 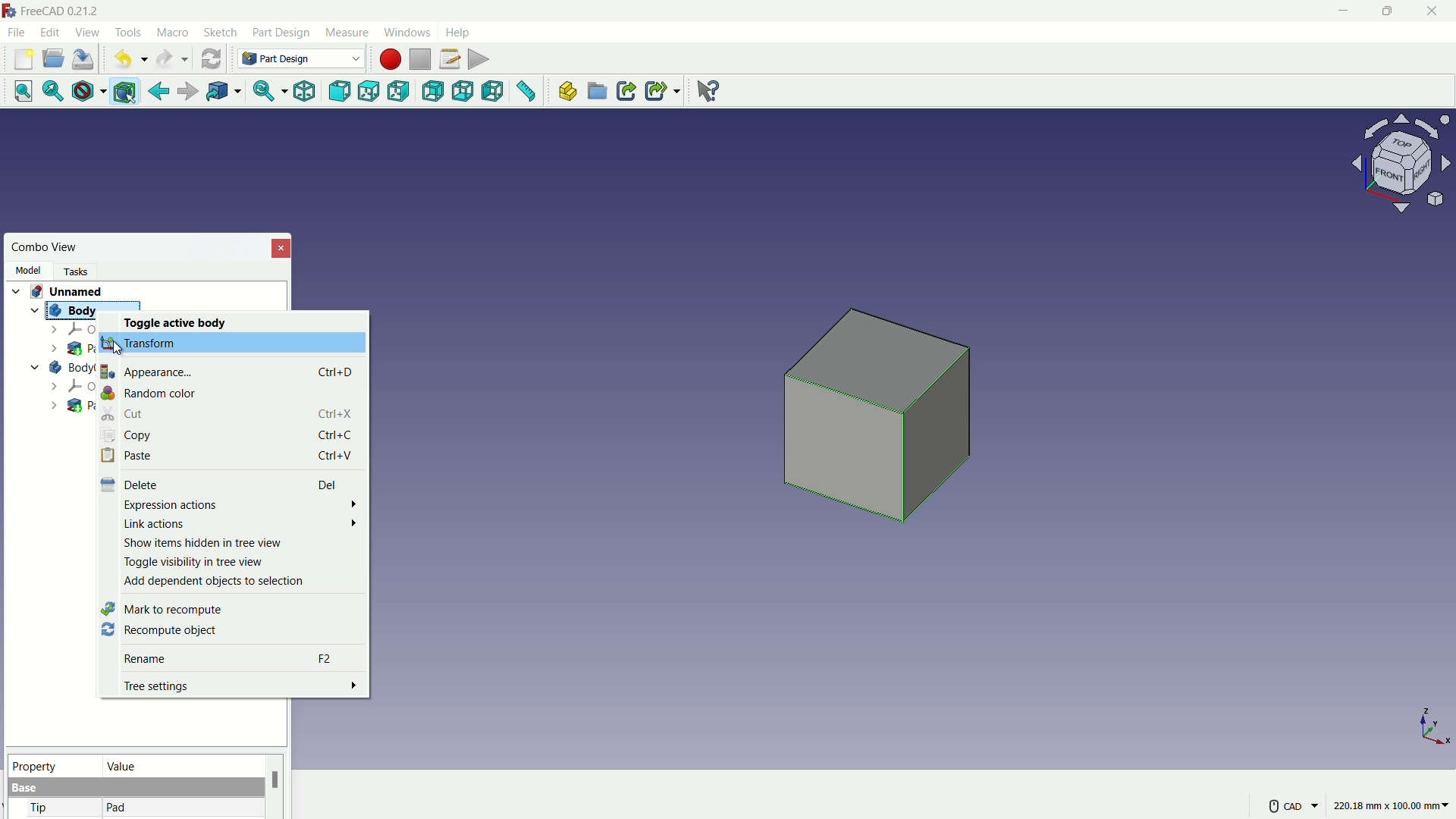 What do you see at coordinates (598, 93) in the screenshot?
I see `create group` at bounding box center [598, 93].